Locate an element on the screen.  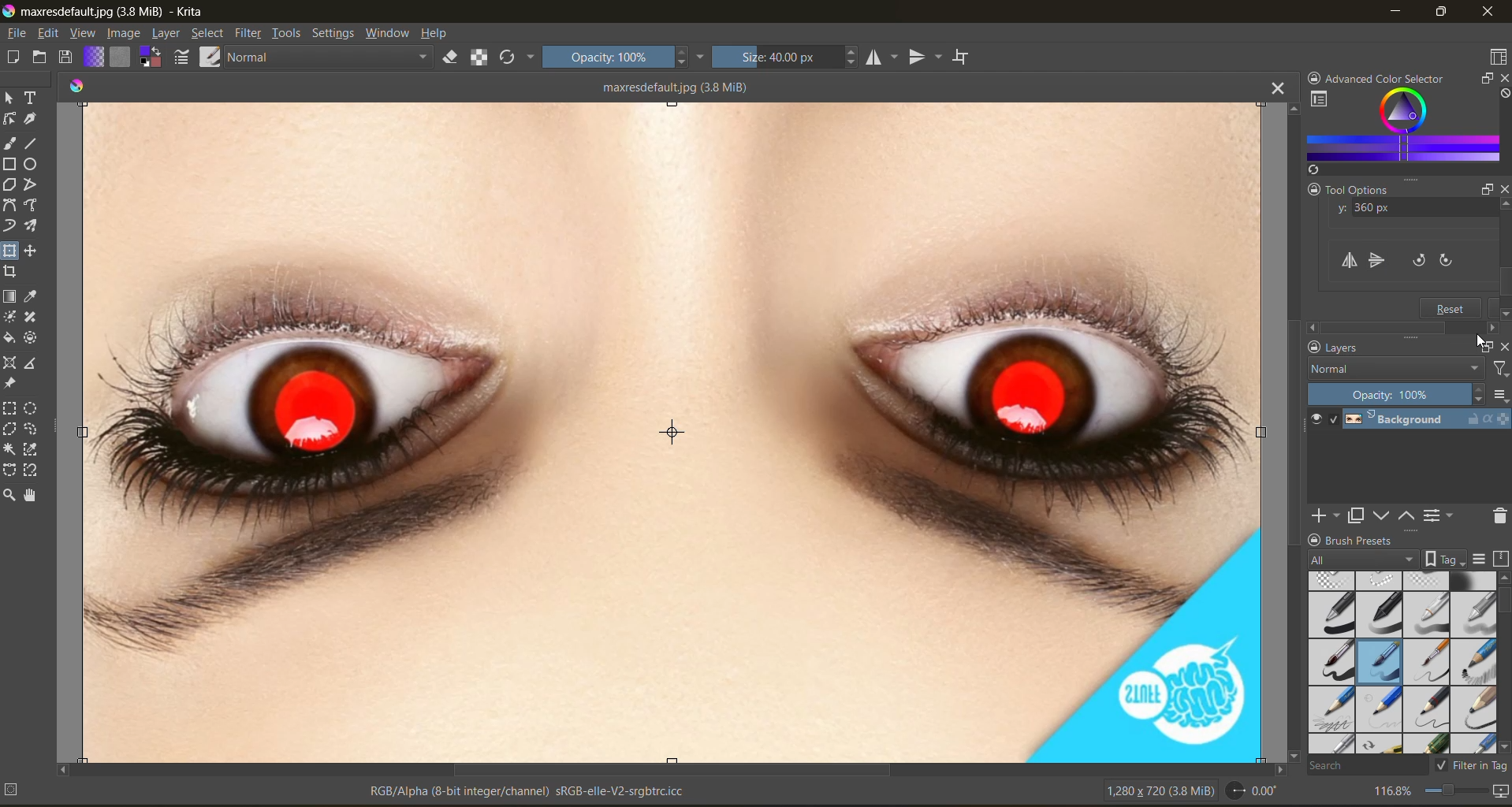
float docker is located at coordinates (1487, 347).